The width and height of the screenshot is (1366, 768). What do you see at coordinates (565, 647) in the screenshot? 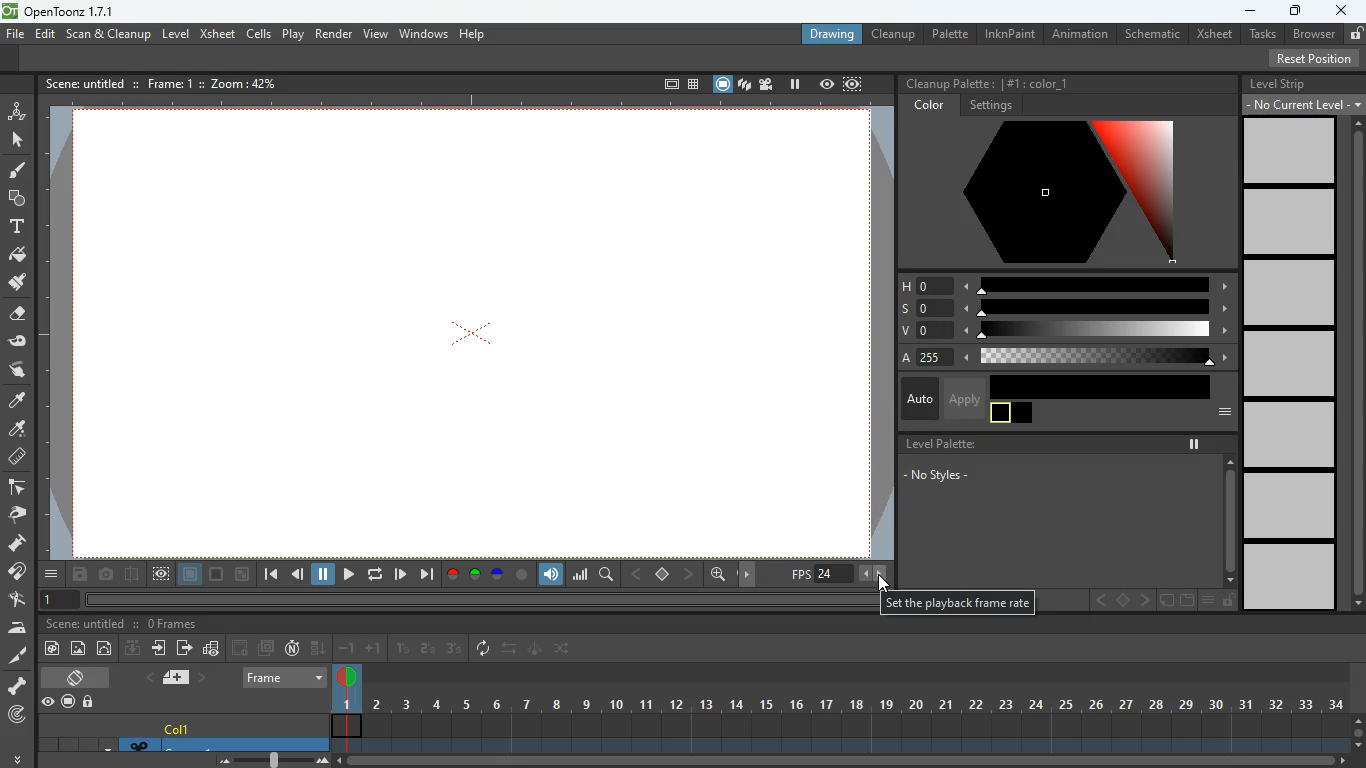
I see `switch` at bounding box center [565, 647].